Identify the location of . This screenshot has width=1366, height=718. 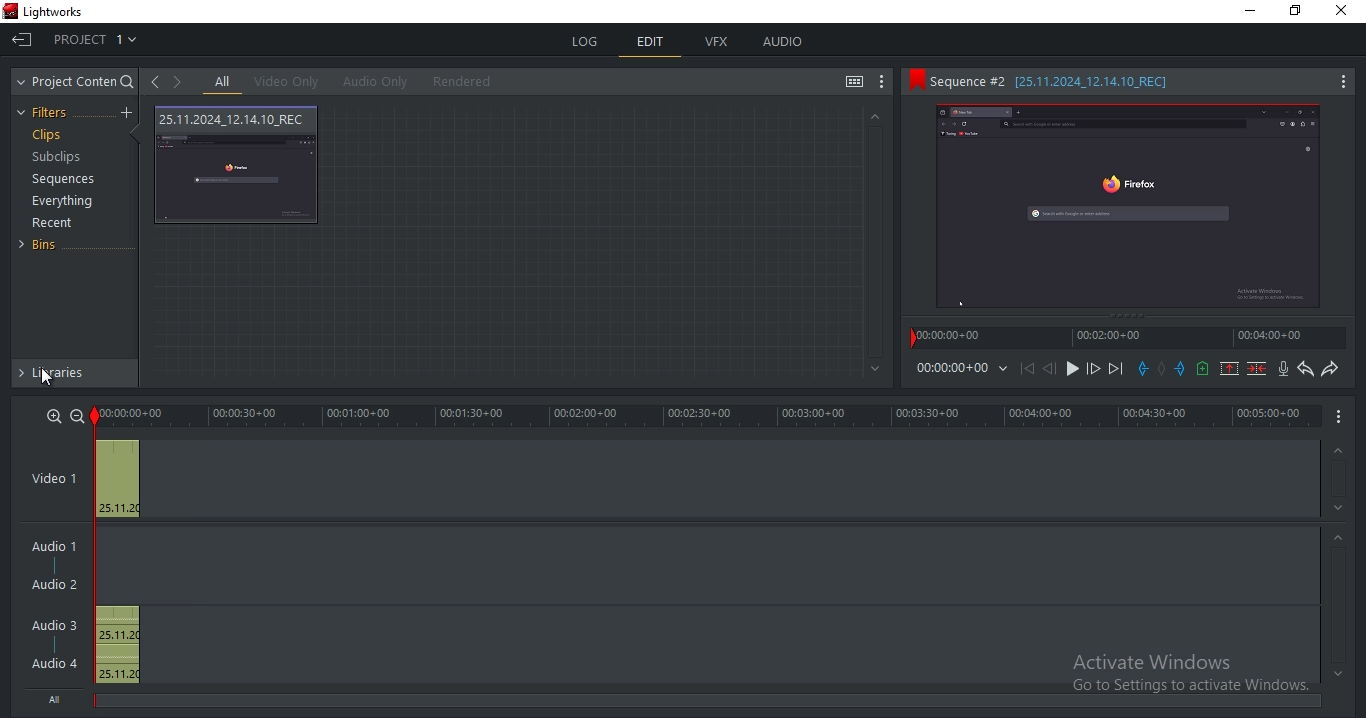
(178, 82).